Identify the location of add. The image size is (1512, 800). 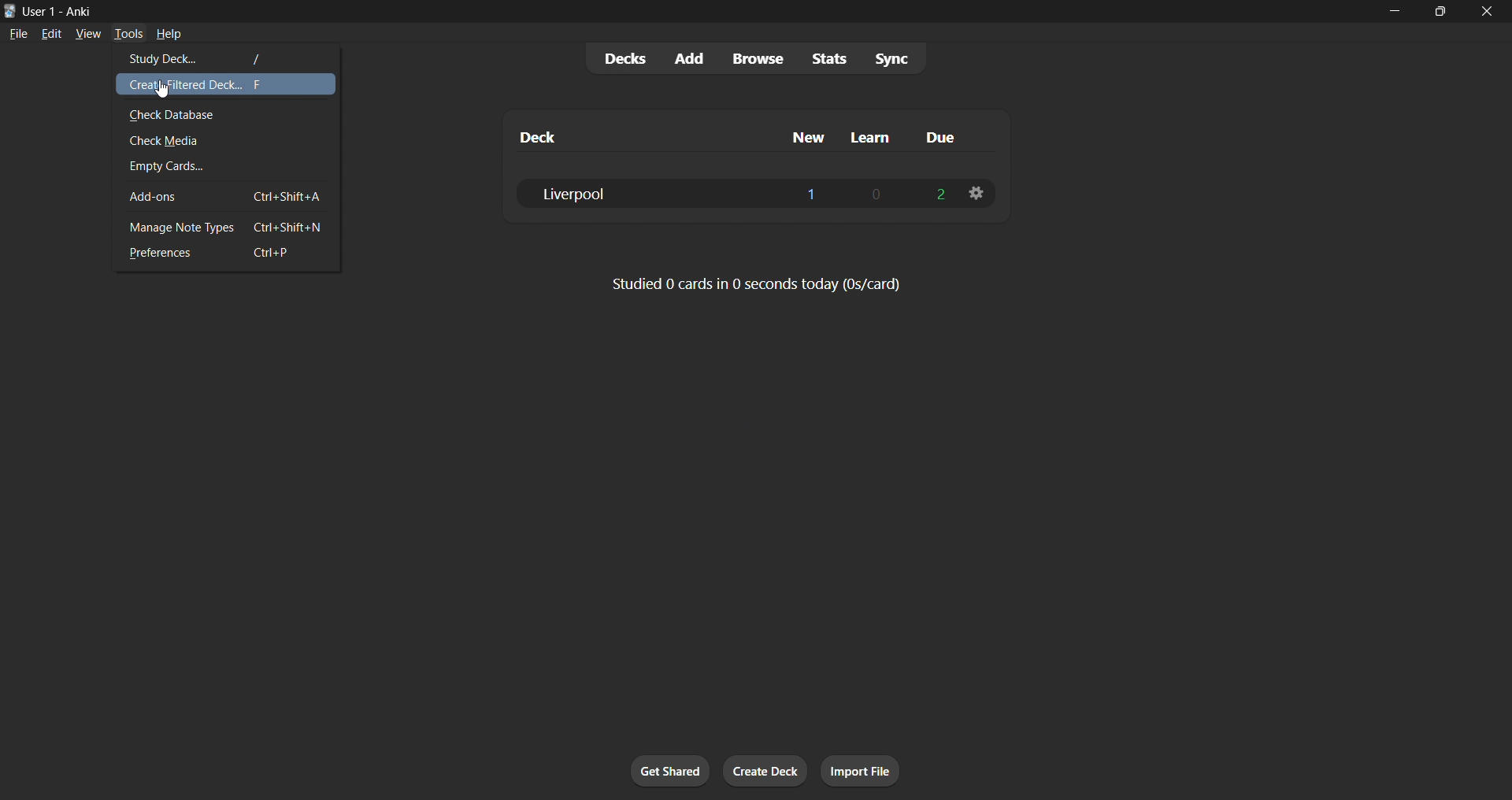
(686, 58).